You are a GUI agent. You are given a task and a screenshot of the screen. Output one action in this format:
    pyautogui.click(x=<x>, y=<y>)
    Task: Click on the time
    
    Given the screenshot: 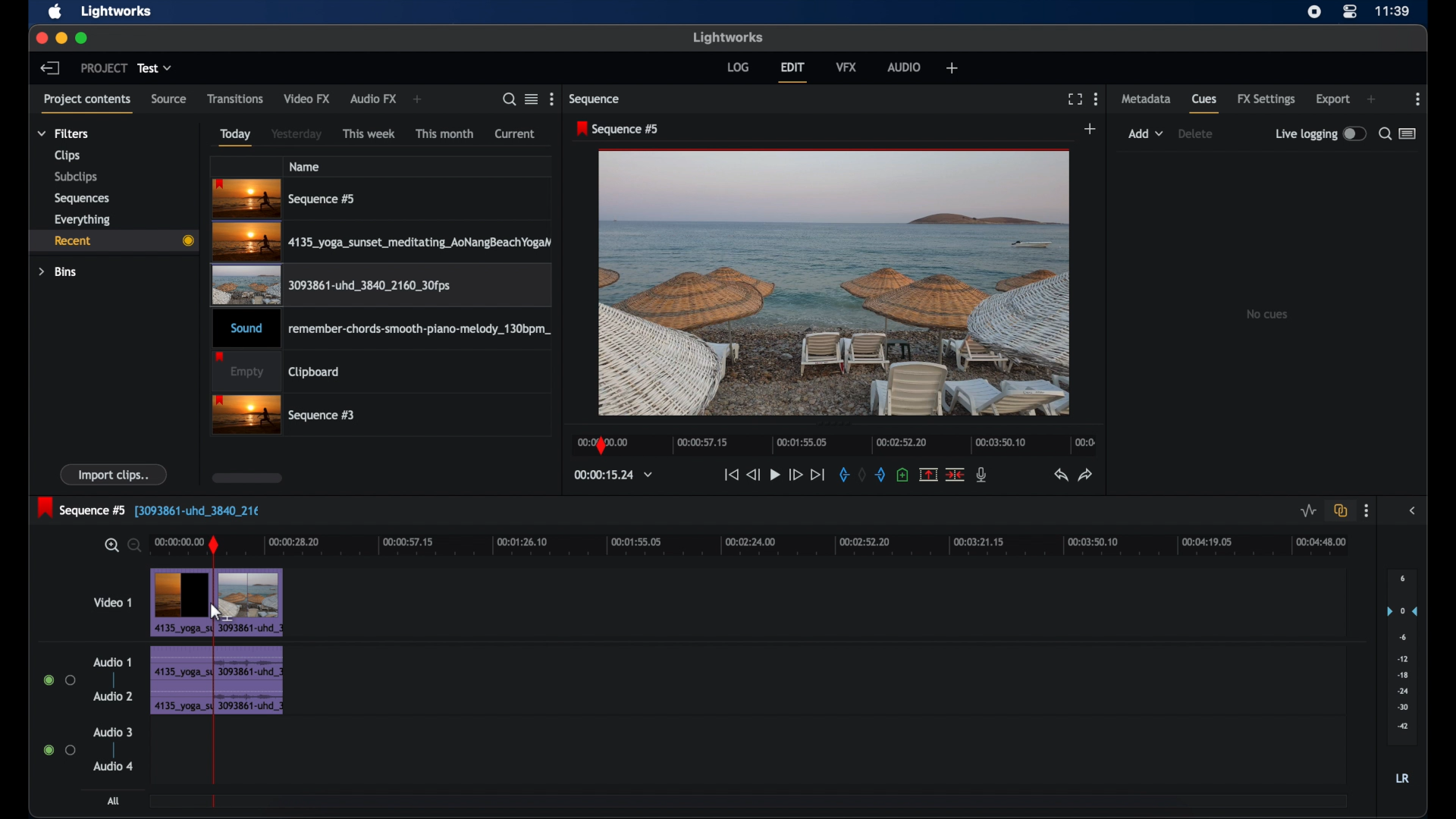 What is the action you would take?
    pyautogui.click(x=1392, y=11)
    